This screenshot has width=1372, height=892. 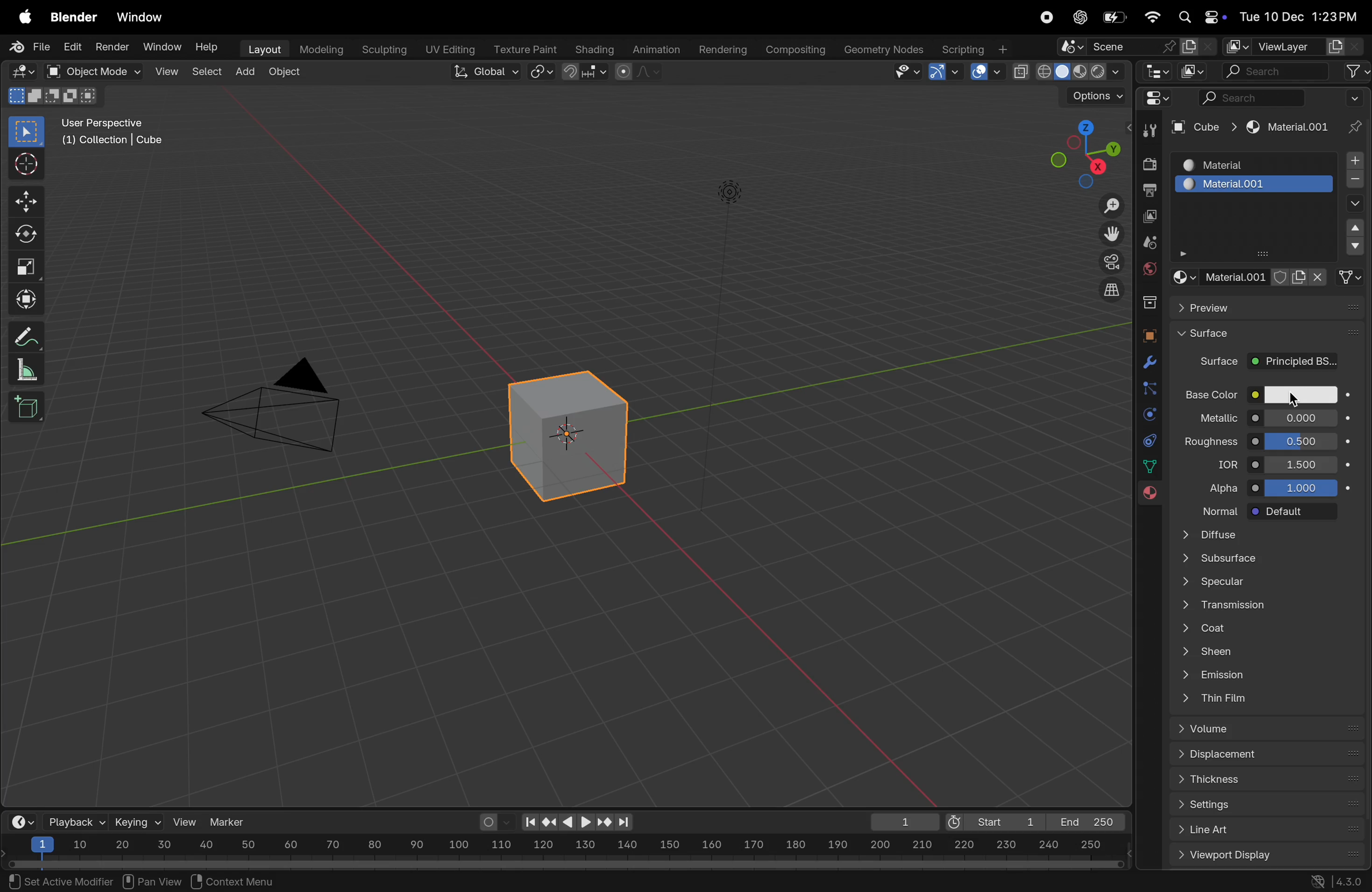 I want to click on normal, so click(x=1213, y=510).